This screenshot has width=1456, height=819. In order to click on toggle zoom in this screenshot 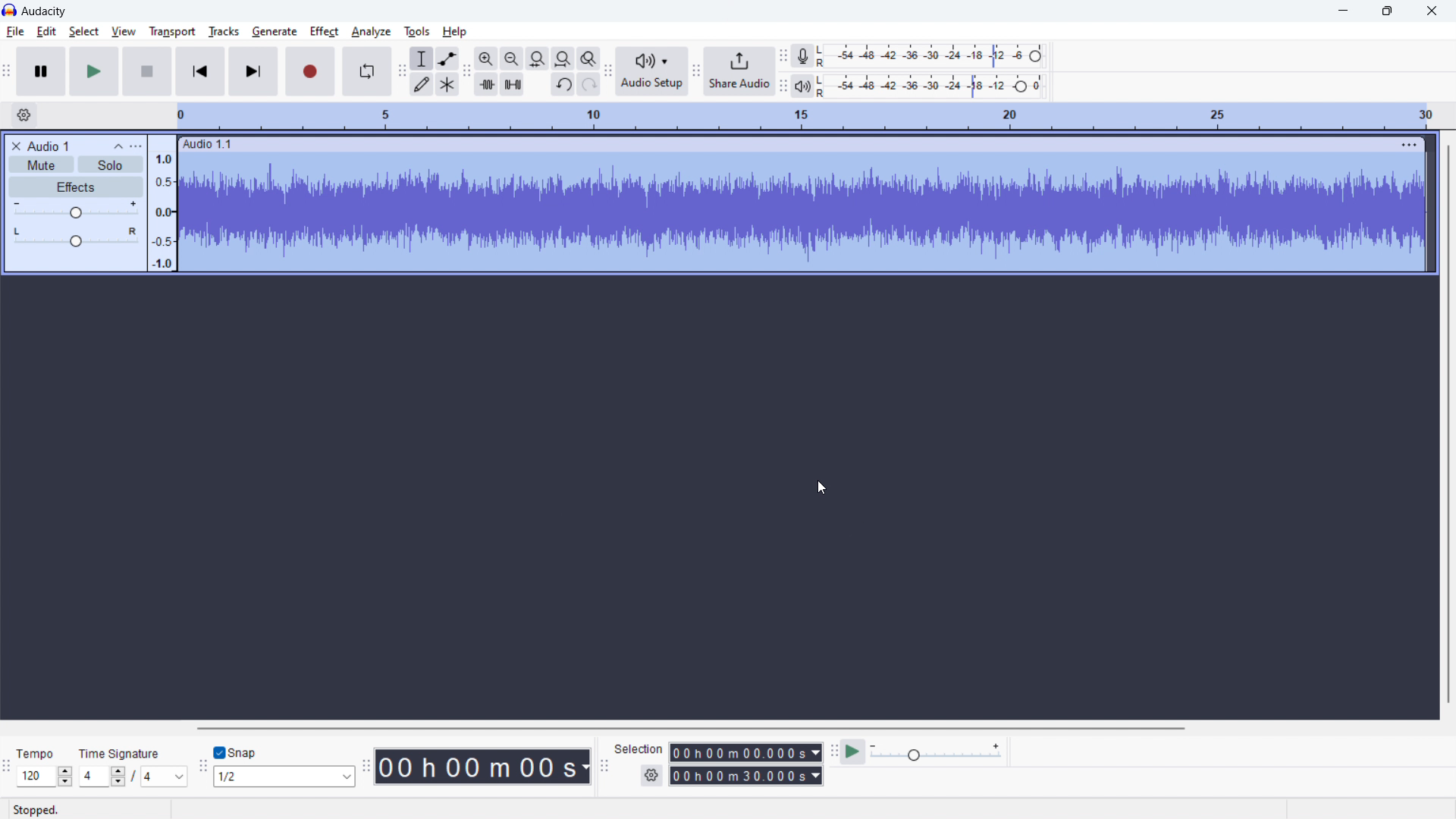, I will do `click(588, 58)`.